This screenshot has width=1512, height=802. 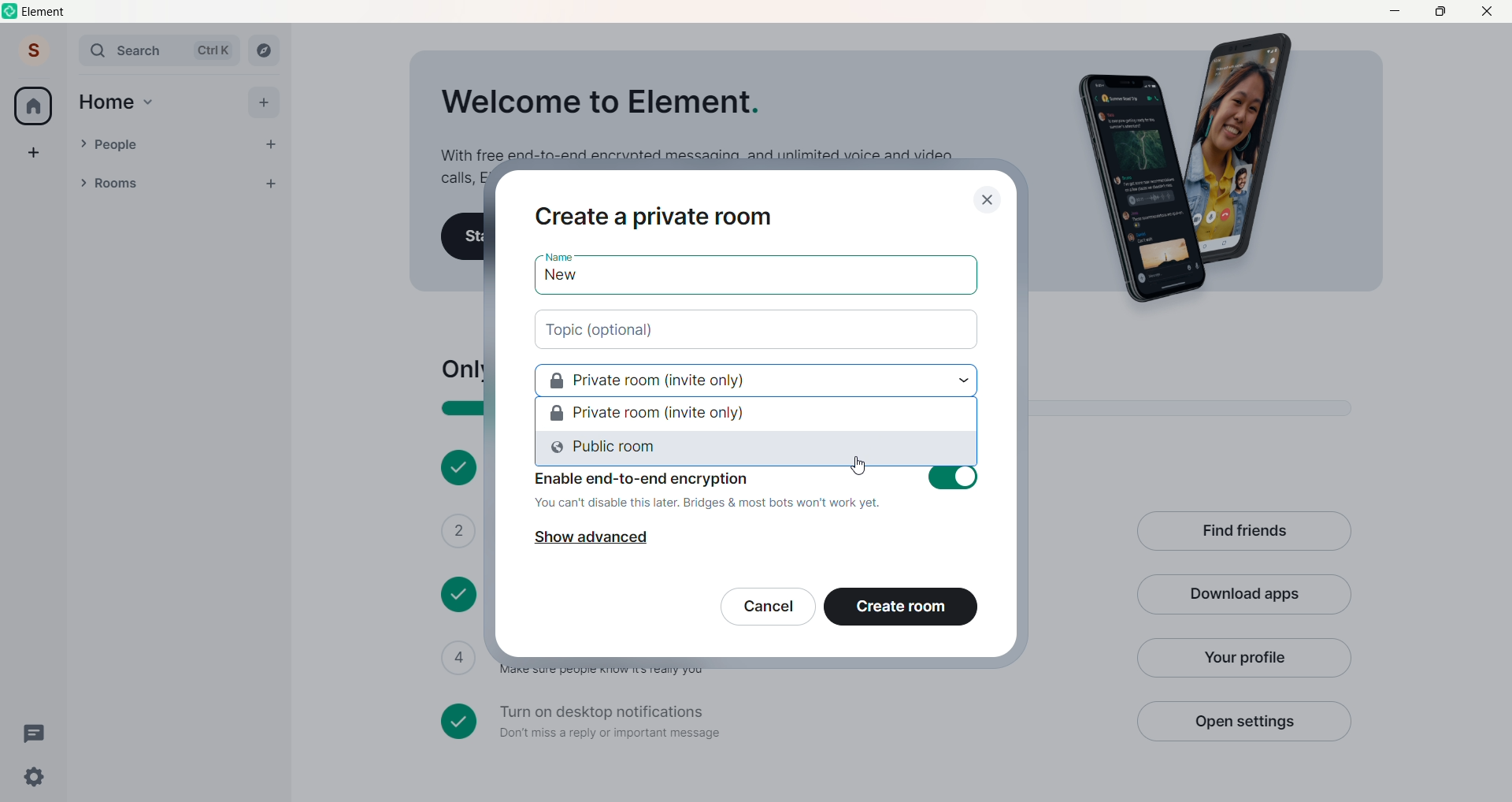 What do you see at coordinates (768, 607) in the screenshot?
I see `Cancel` at bounding box center [768, 607].